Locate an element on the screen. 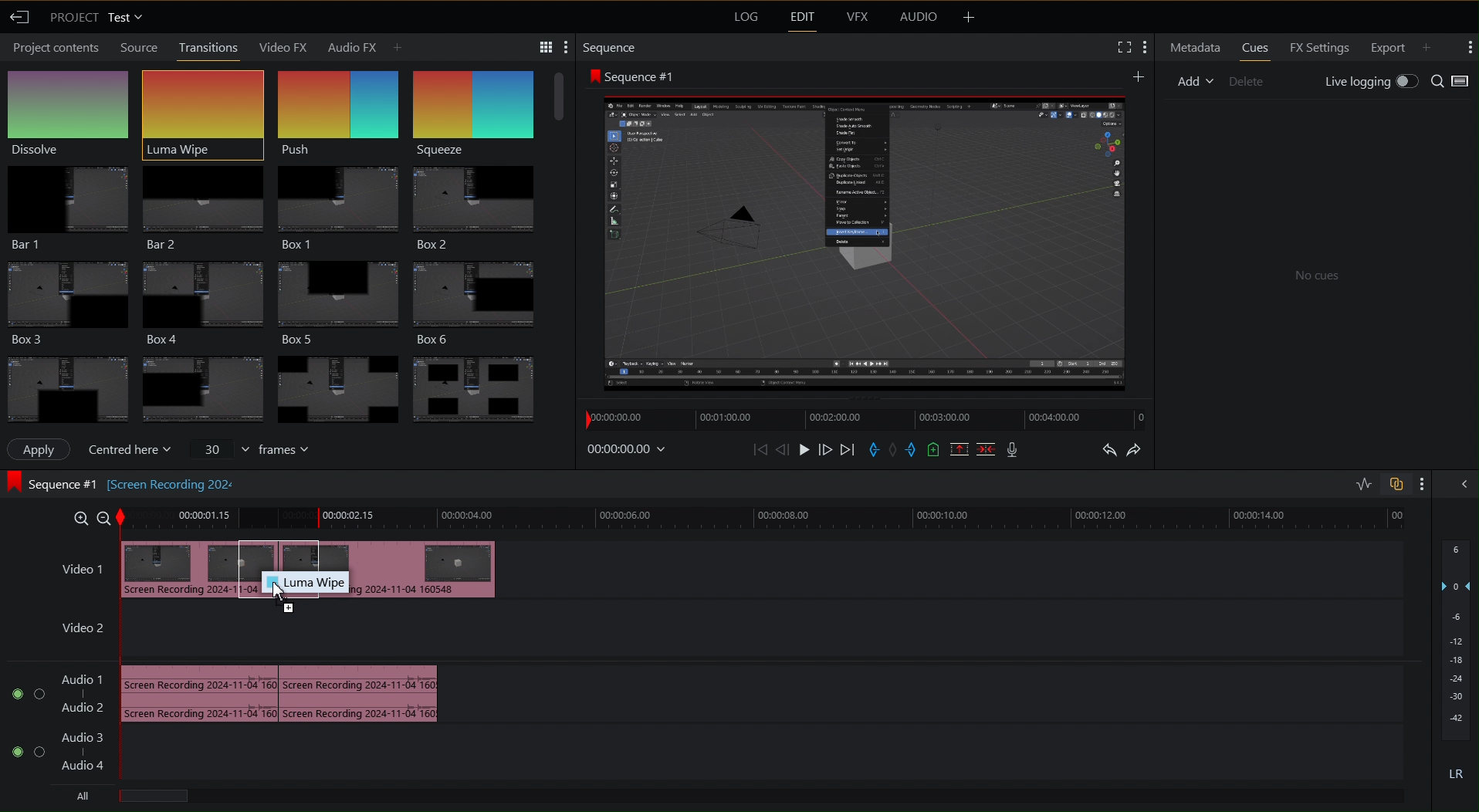 The height and width of the screenshot is (812, 1479). Sequence #1 [screen Recording202] is located at coordinates (121, 482).